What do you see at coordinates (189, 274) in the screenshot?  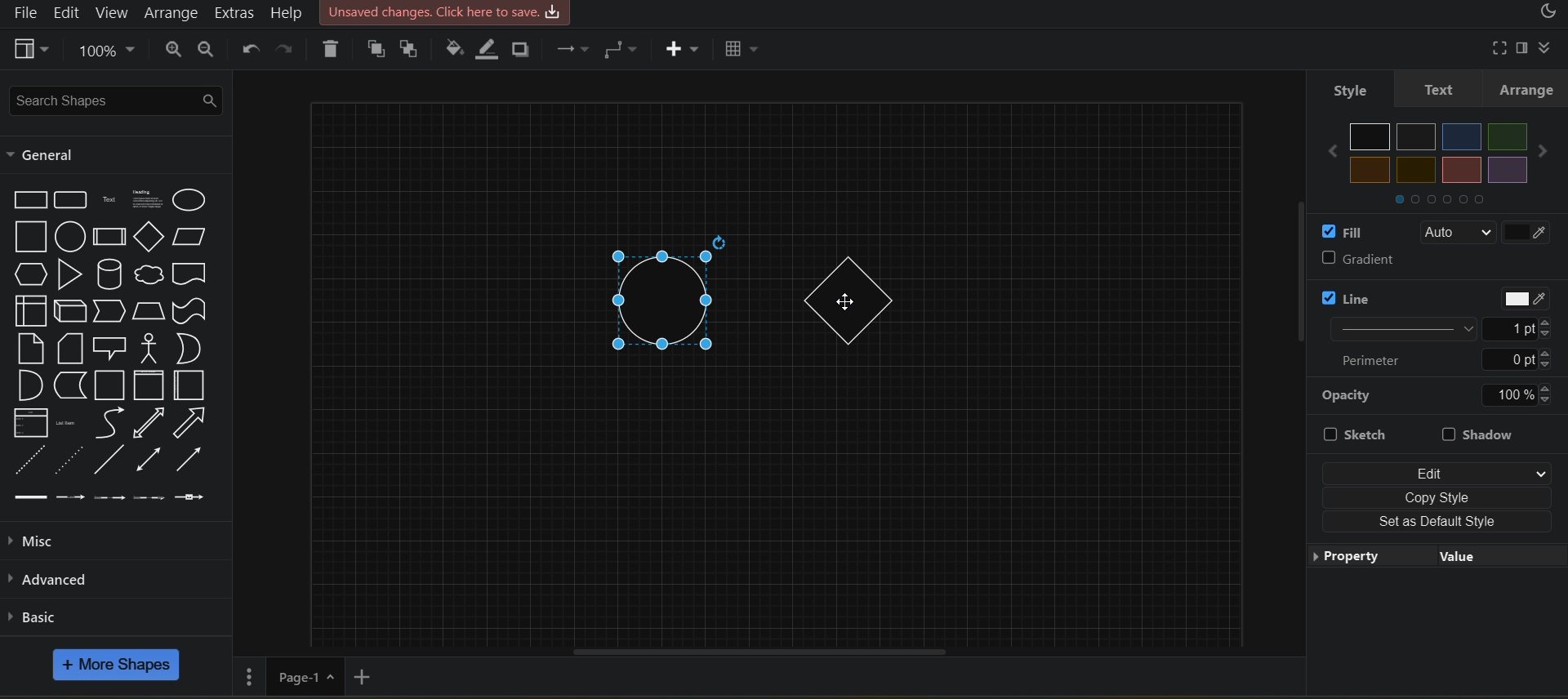 I see `Document` at bounding box center [189, 274].